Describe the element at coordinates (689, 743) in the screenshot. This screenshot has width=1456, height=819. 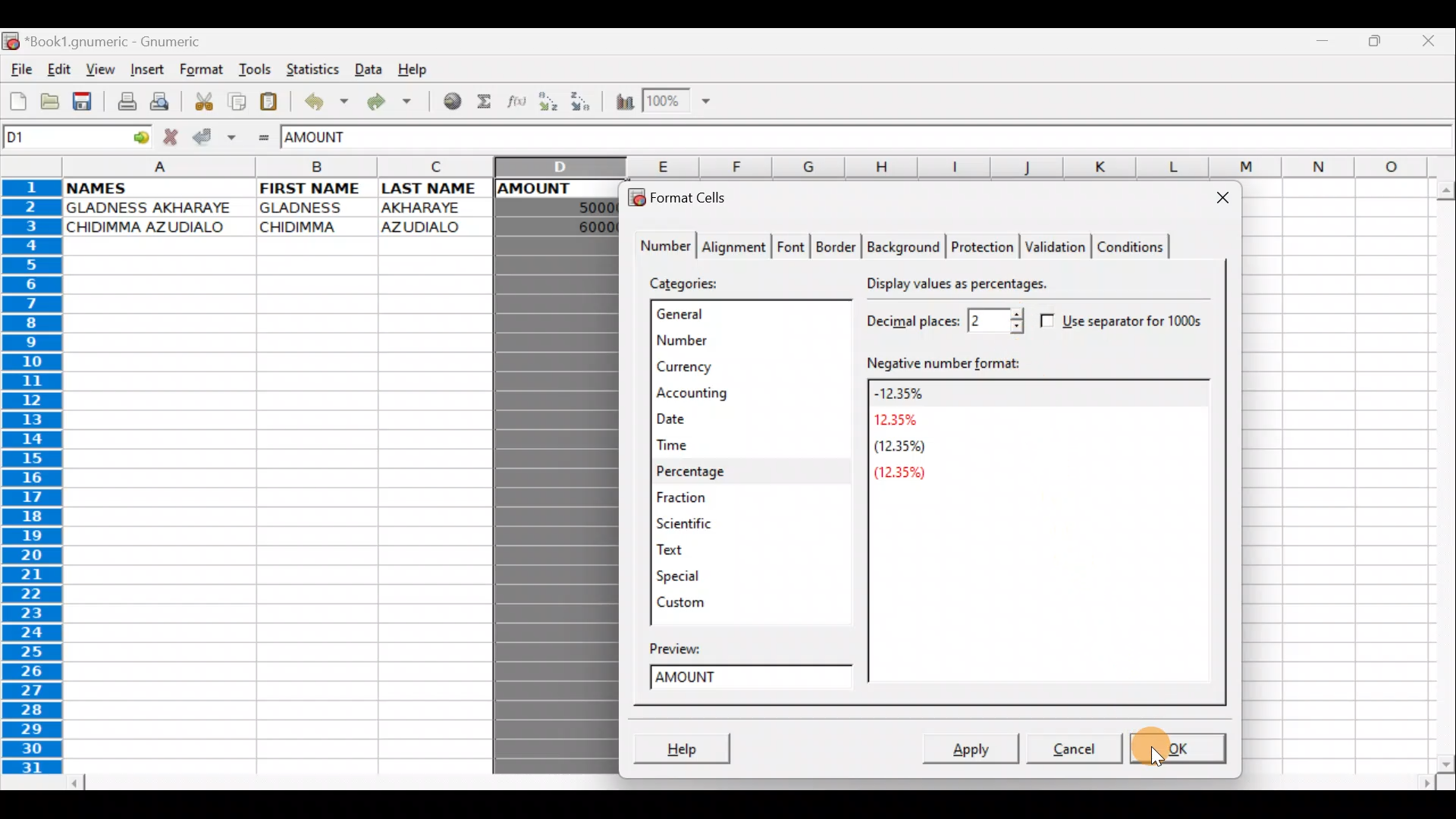
I see `Help` at that location.